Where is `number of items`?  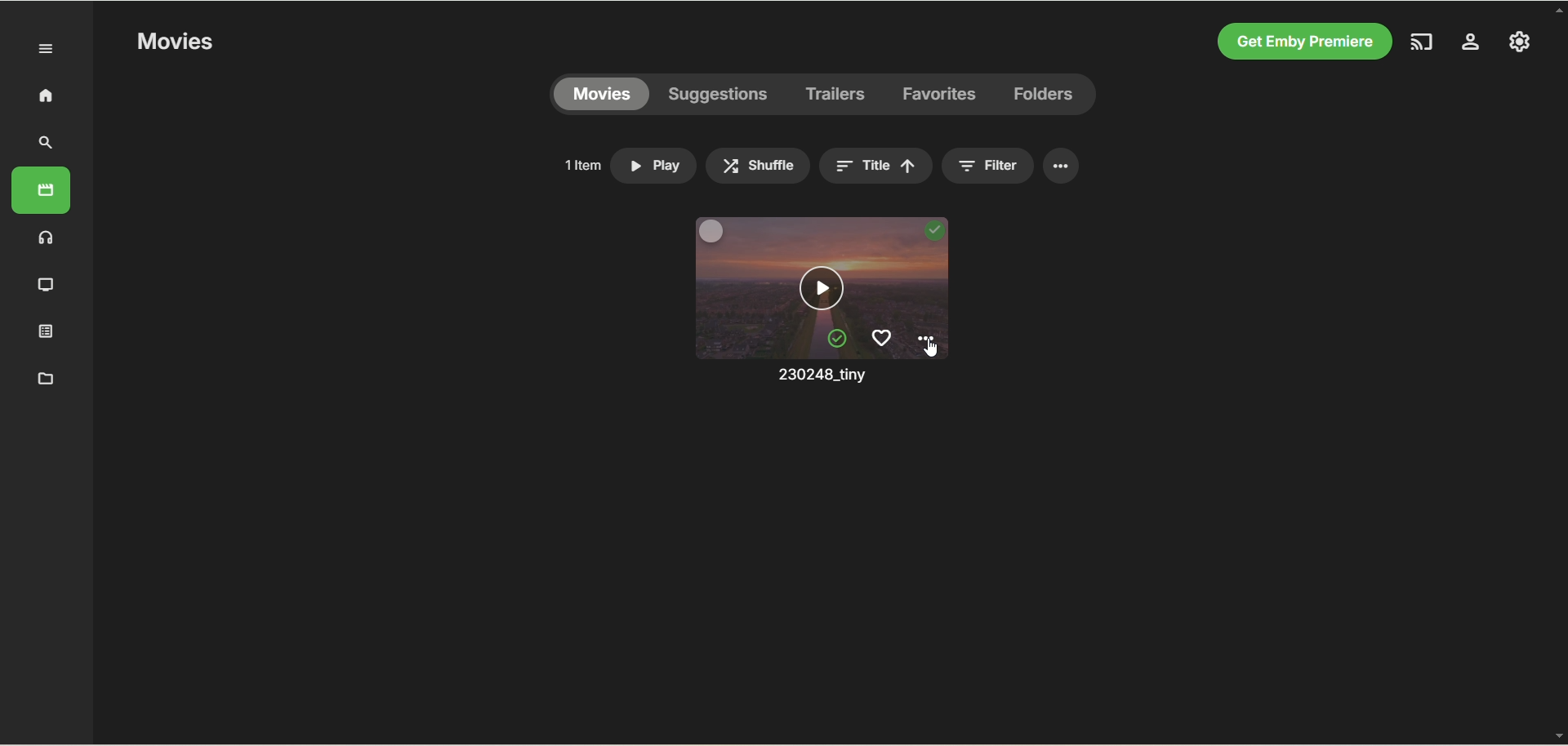
number of items is located at coordinates (581, 165).